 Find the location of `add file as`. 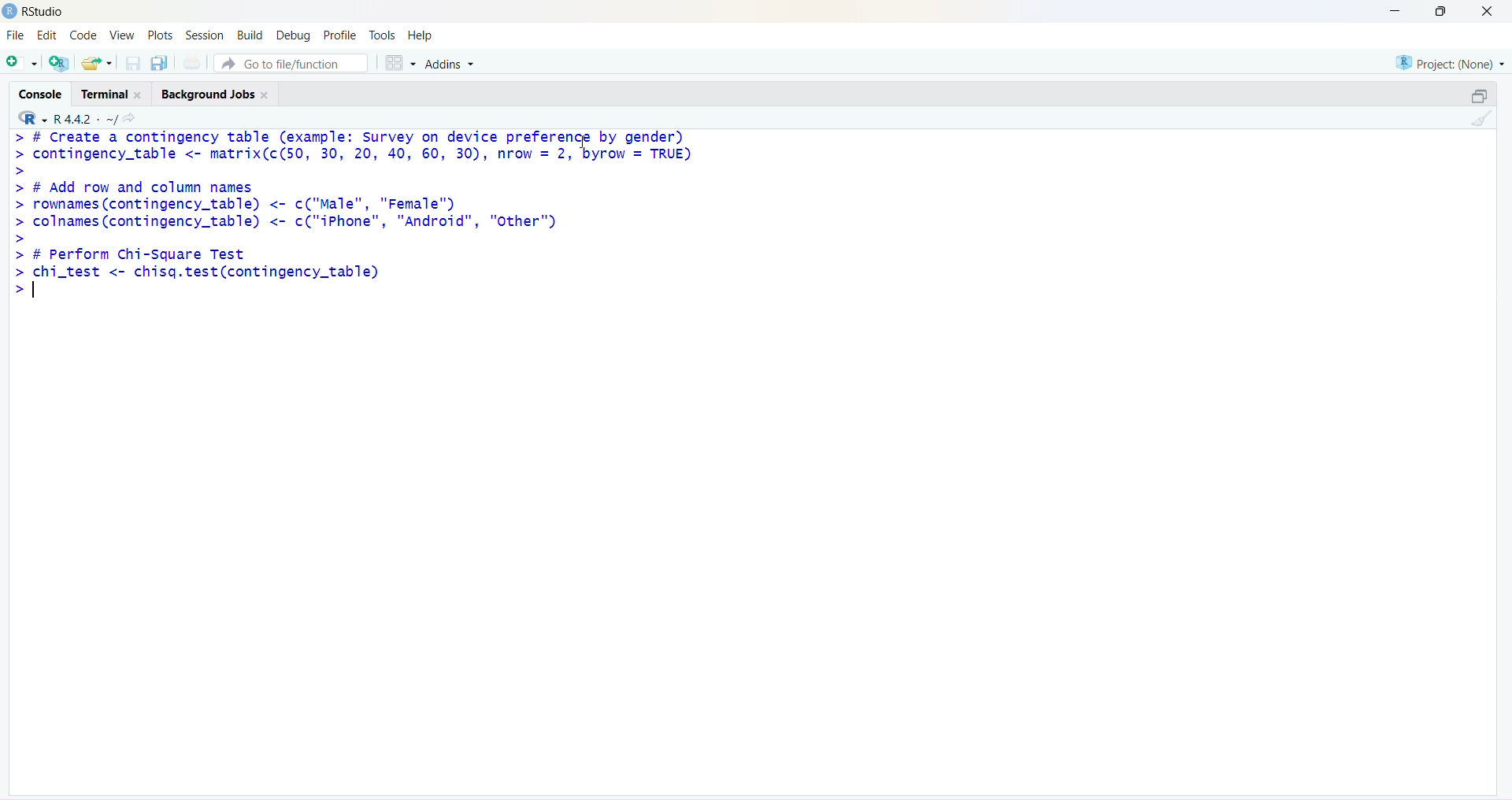

add file as is located at coordinates (23, 63).